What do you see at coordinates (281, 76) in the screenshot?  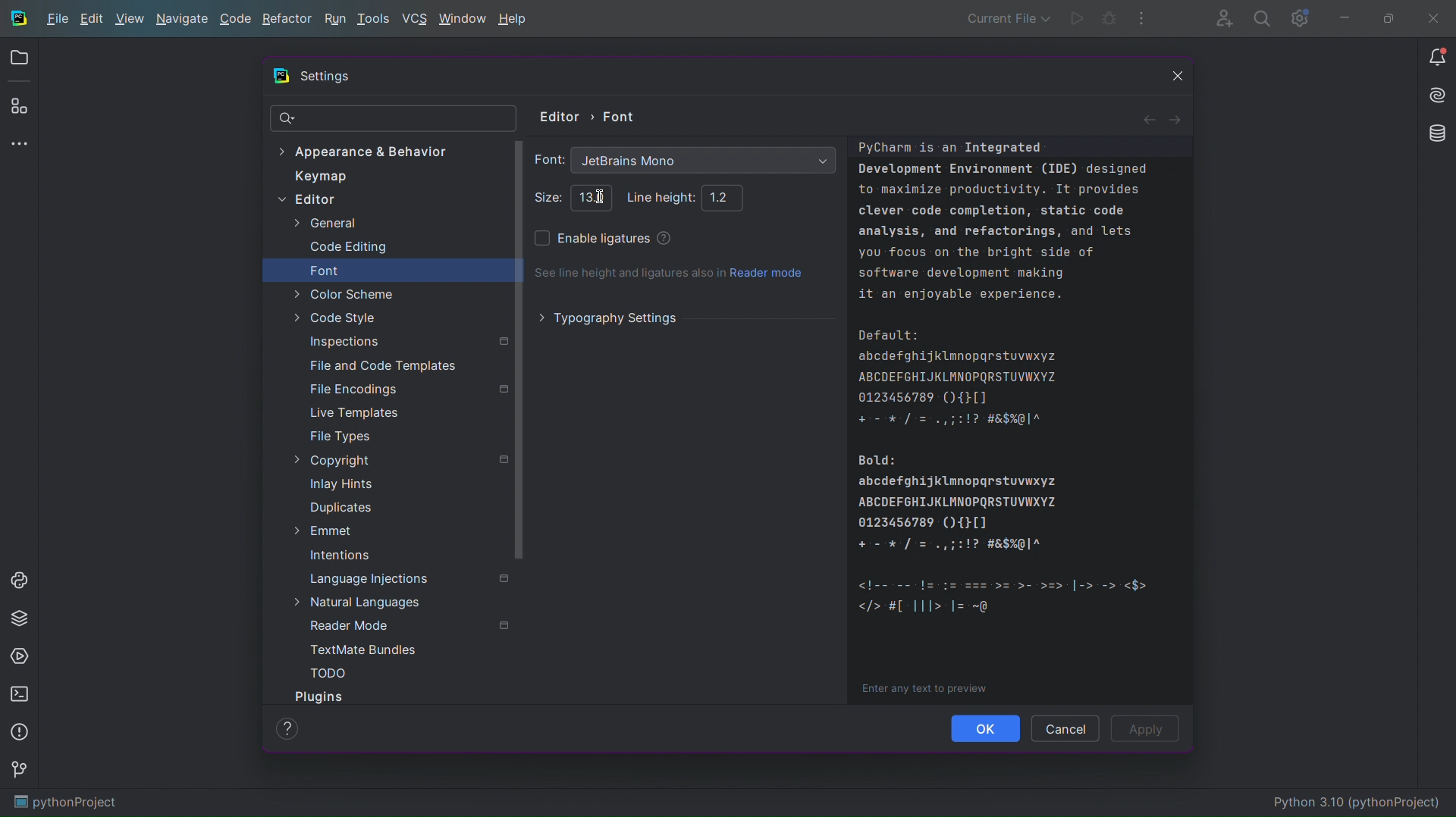 I see `Logo` at bounding box center [281, 76].